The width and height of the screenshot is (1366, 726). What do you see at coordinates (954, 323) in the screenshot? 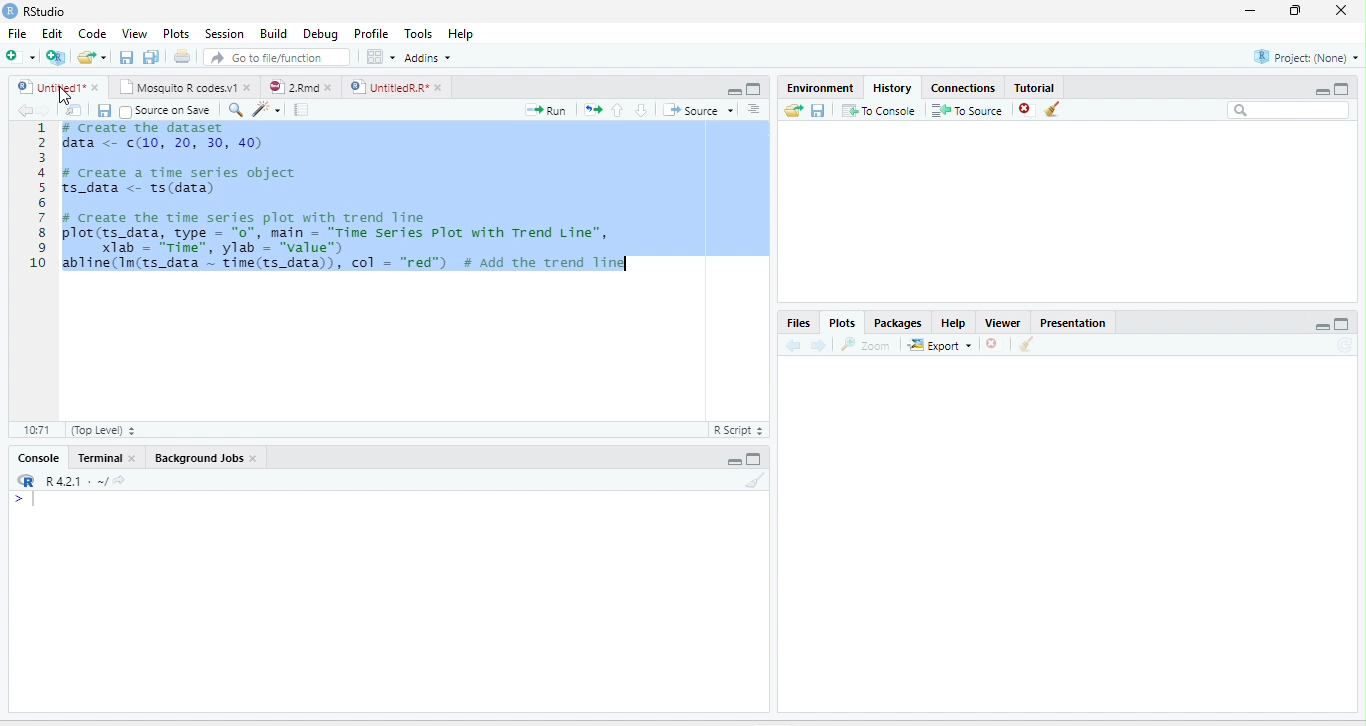
I see `Help` at bounding box center [954, 323].